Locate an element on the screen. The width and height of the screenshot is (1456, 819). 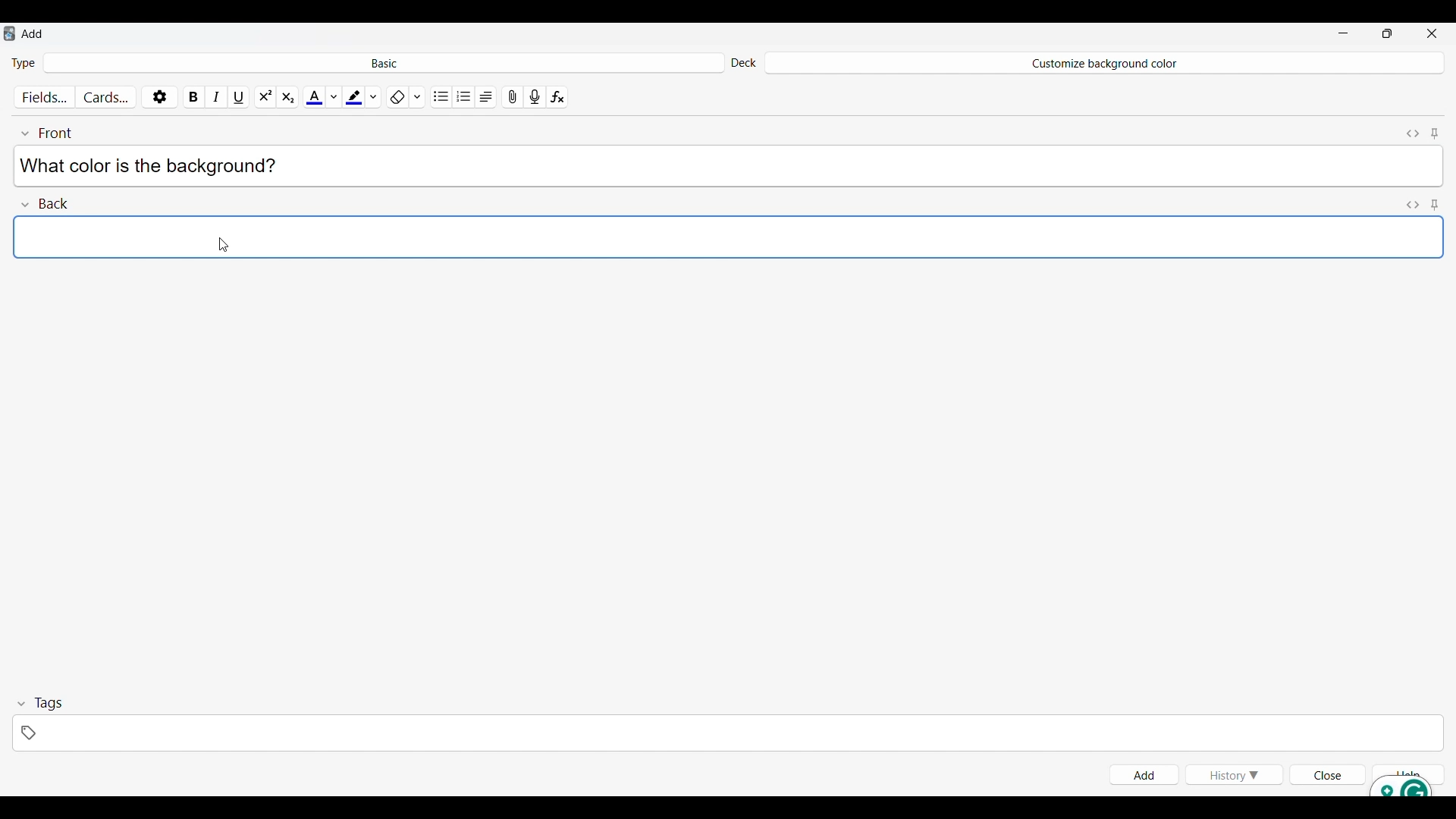
 is located at coordinates (1329, 775).